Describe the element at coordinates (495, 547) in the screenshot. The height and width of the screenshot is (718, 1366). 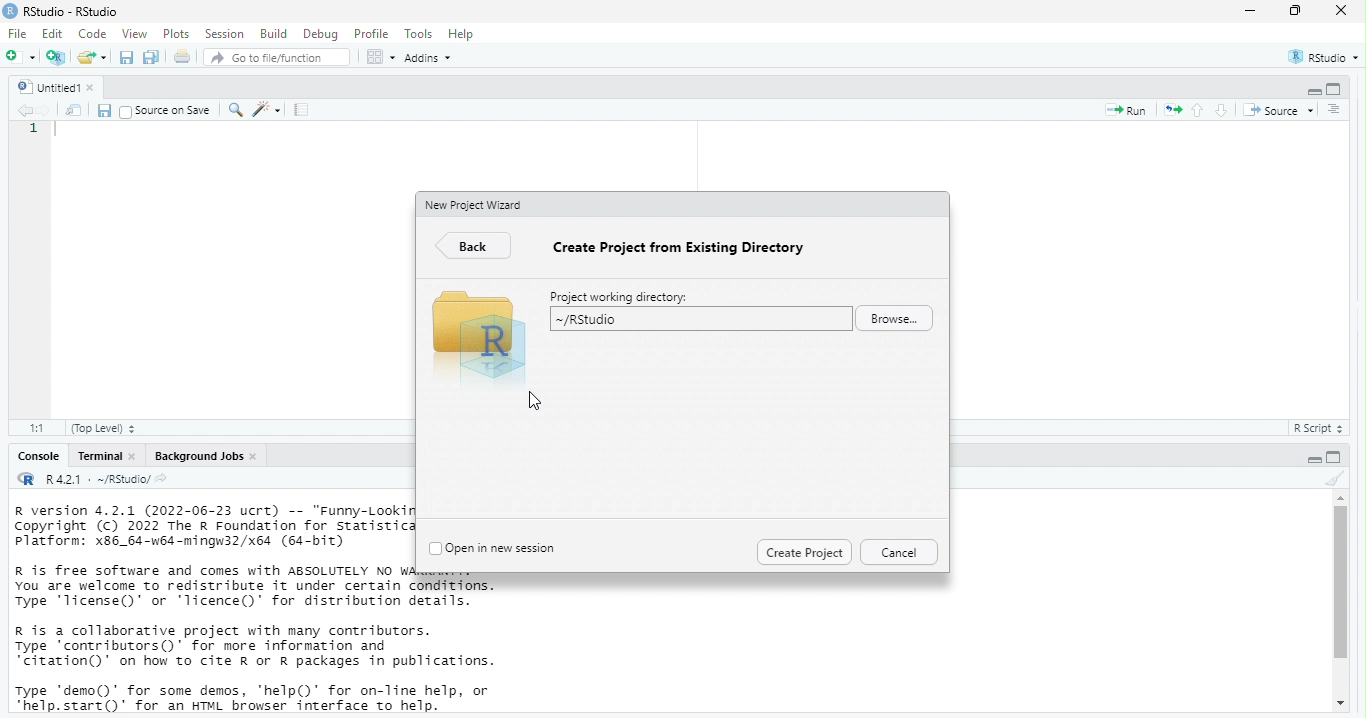
I see `Open in new session` at that location.